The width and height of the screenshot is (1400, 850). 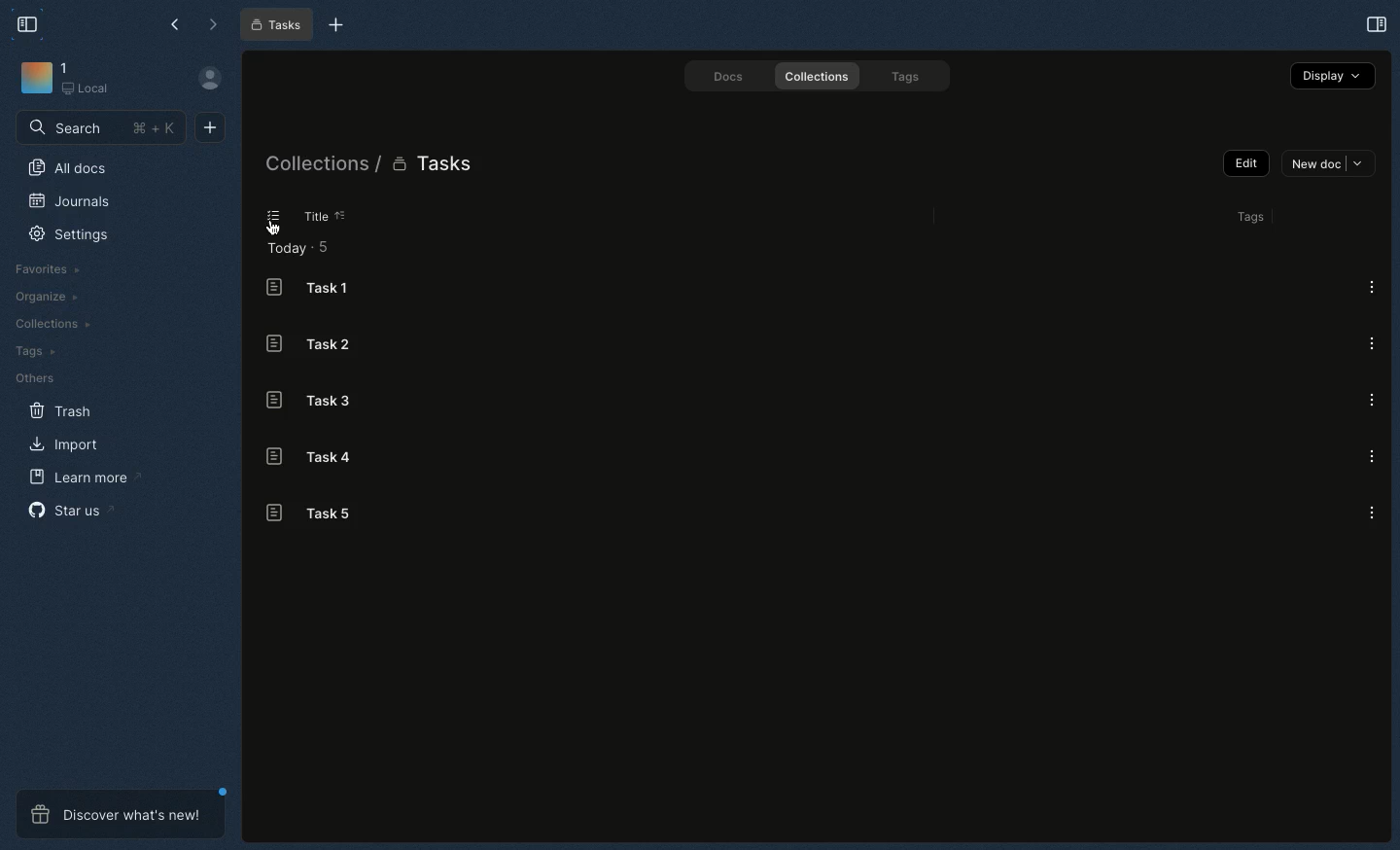 What do you see at coordinates (70, 83) in the screenshot?
I see `Workspace` at bounding box center [70, 83].